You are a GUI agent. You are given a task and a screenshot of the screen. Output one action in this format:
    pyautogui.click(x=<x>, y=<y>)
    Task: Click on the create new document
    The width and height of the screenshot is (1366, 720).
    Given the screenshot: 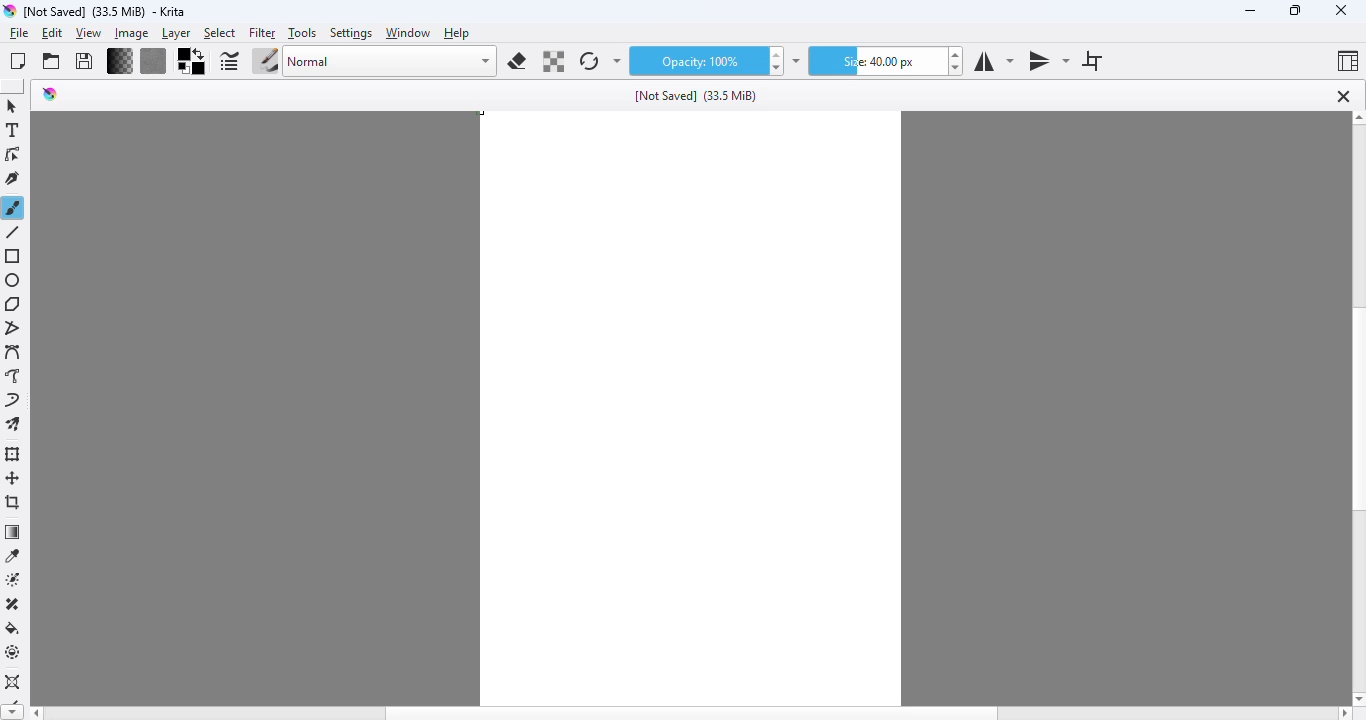 What is the action you would take?
    pyautogui.click(x=18, y=61)
    